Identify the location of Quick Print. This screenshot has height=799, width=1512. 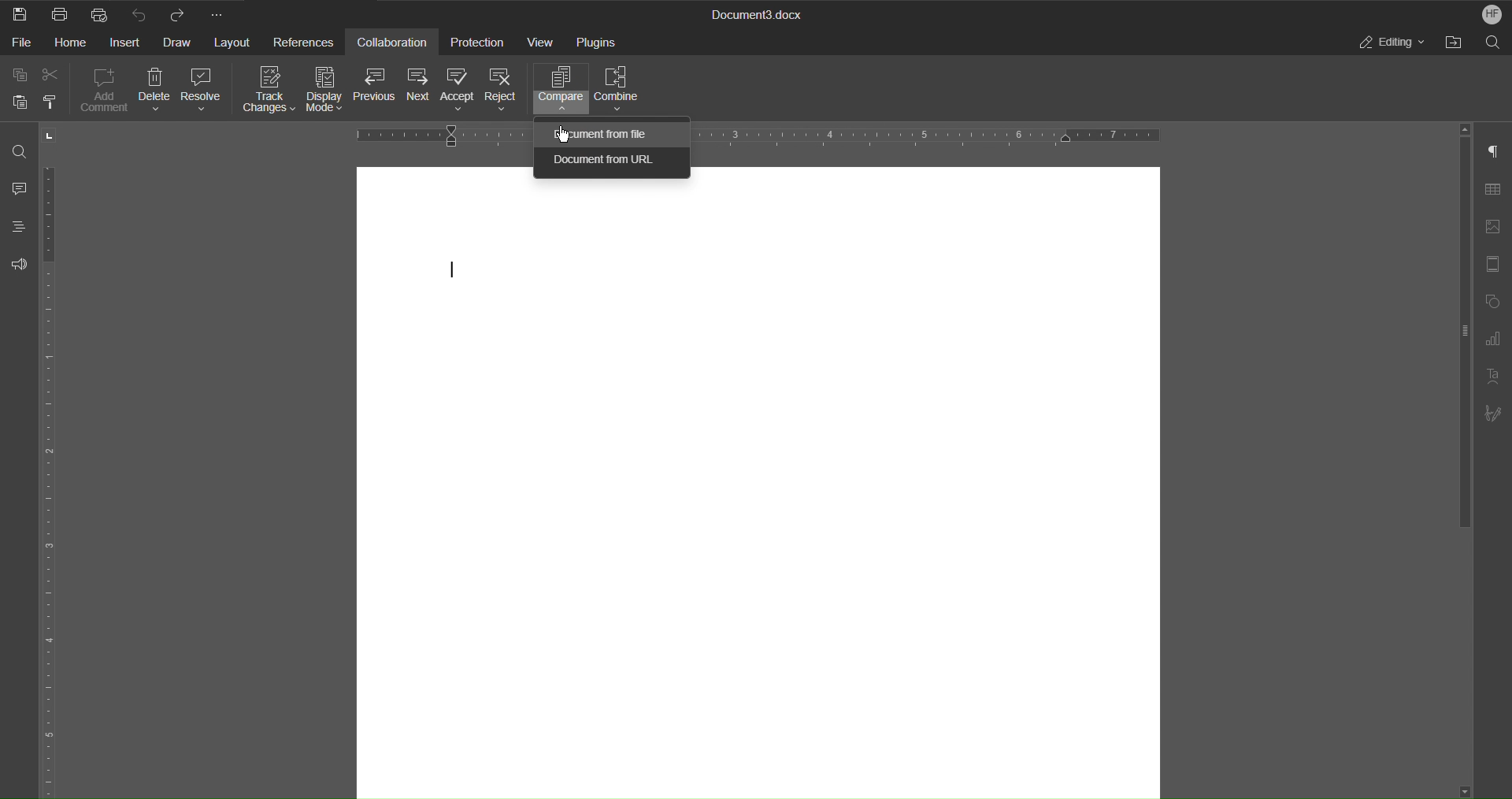
(99, 15).